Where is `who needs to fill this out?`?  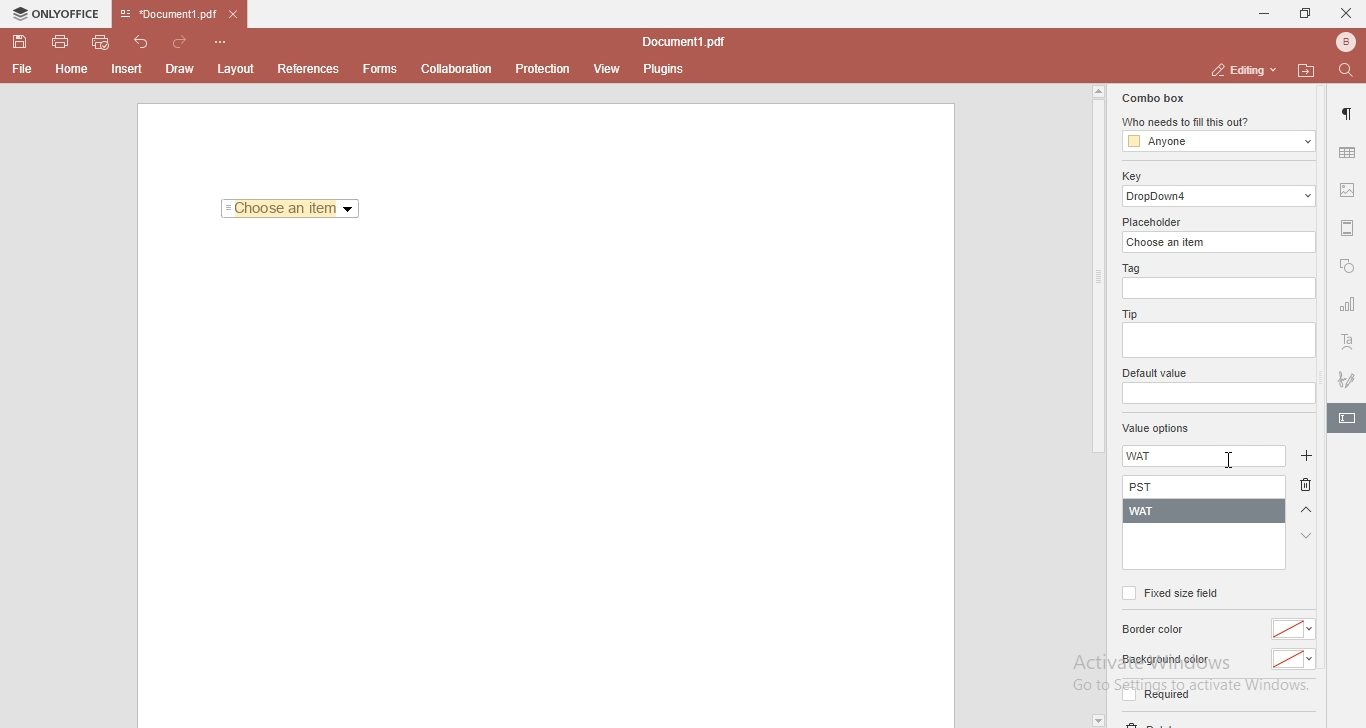 who needs to fill this out? is located at coordinates (1216, 123).